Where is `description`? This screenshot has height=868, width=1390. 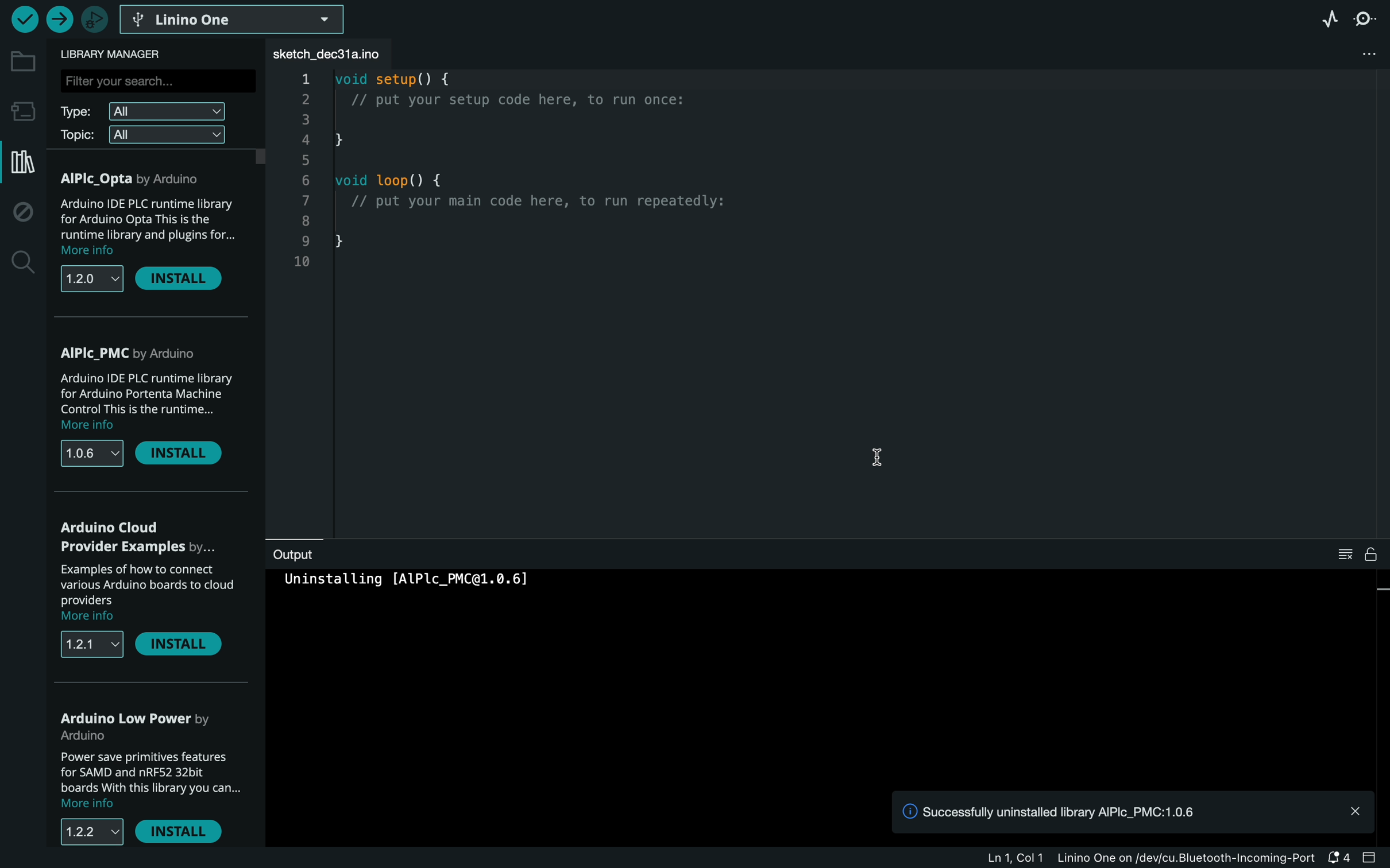 description is located at coordinates (150, 403).